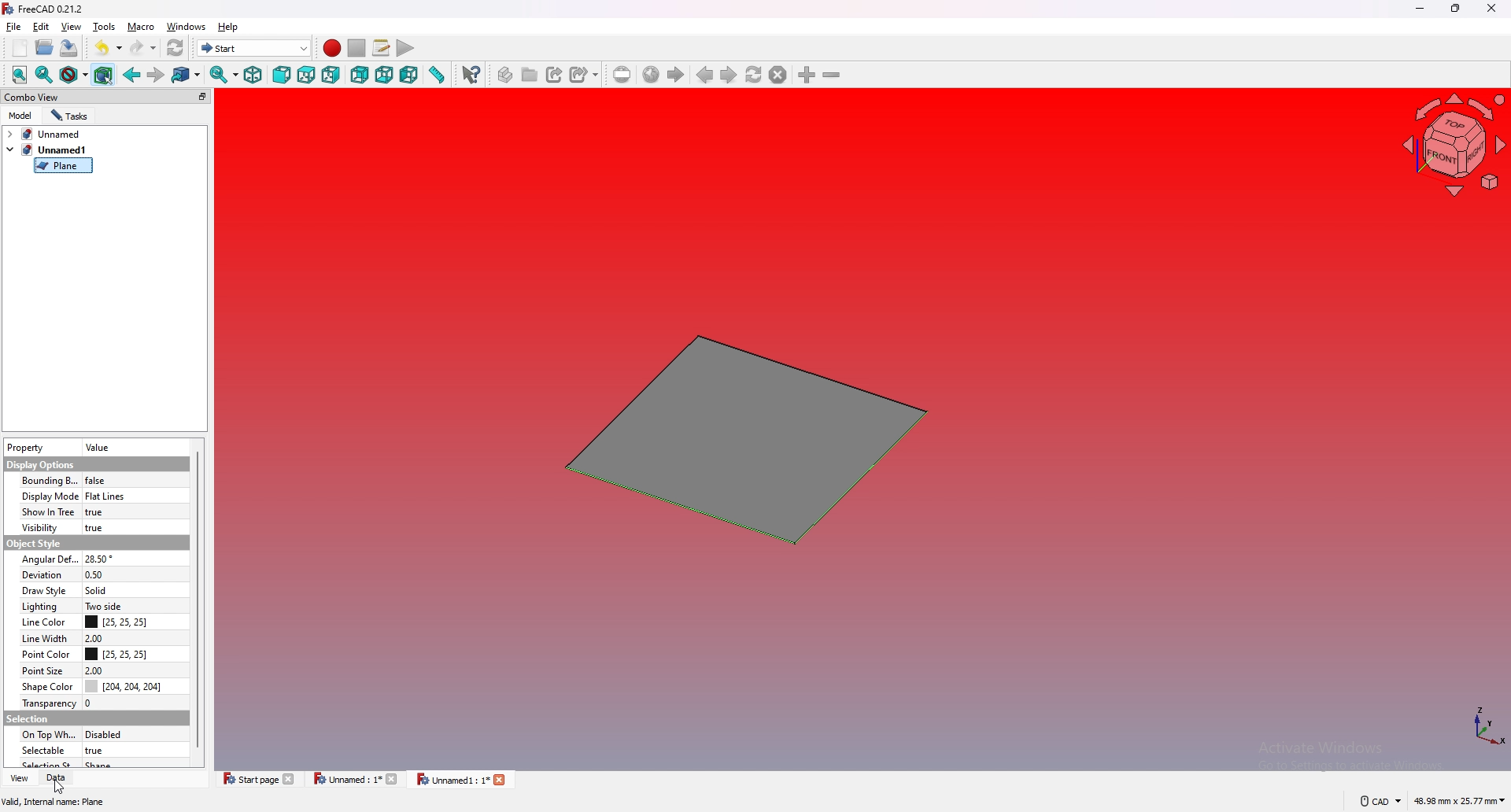 This screenshot has width=1511, height=812. I want to click on close, so click(1490, 9).